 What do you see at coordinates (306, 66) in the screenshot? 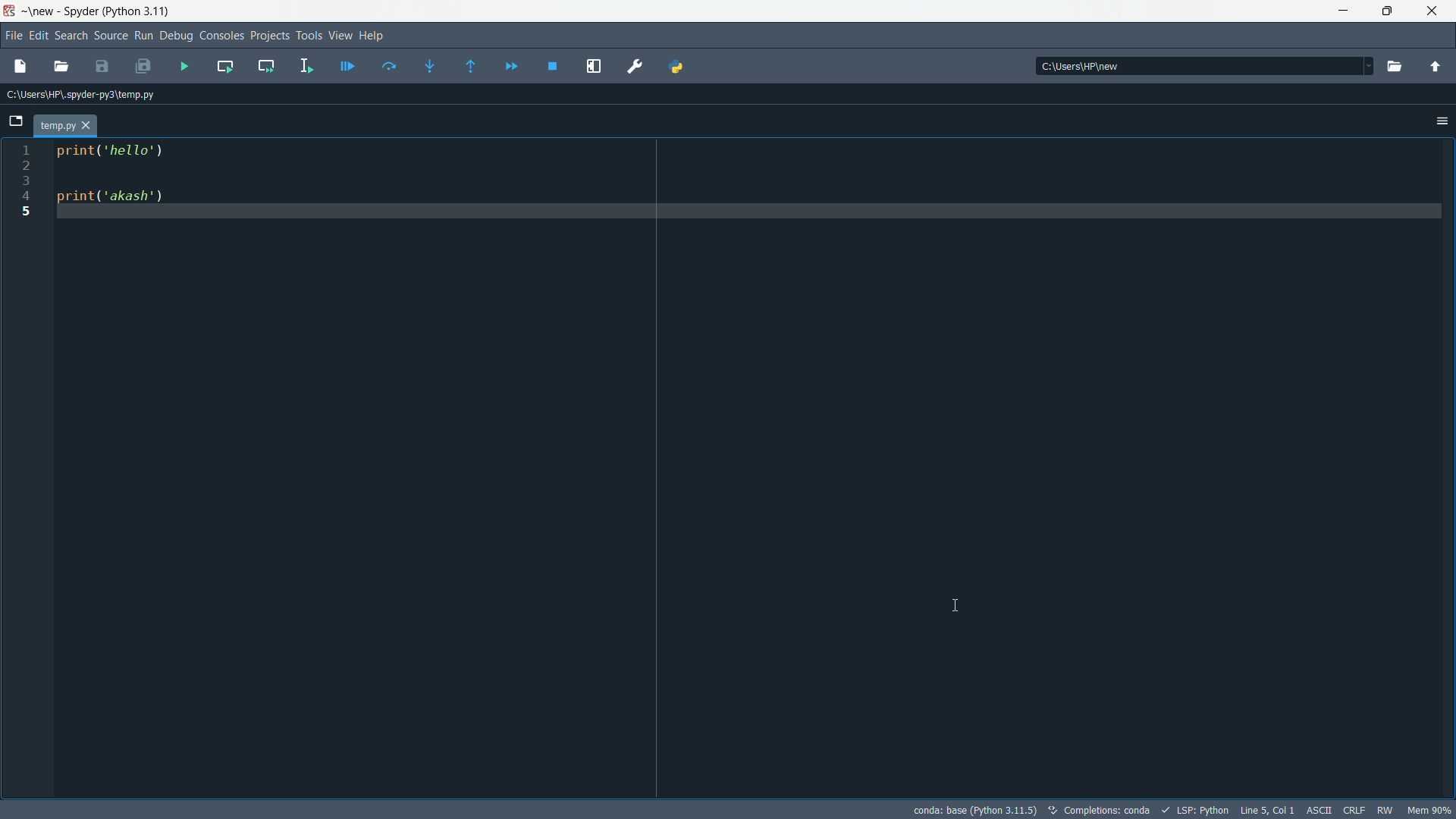
I see `run selection or current line` at bounding box center [306, 66].